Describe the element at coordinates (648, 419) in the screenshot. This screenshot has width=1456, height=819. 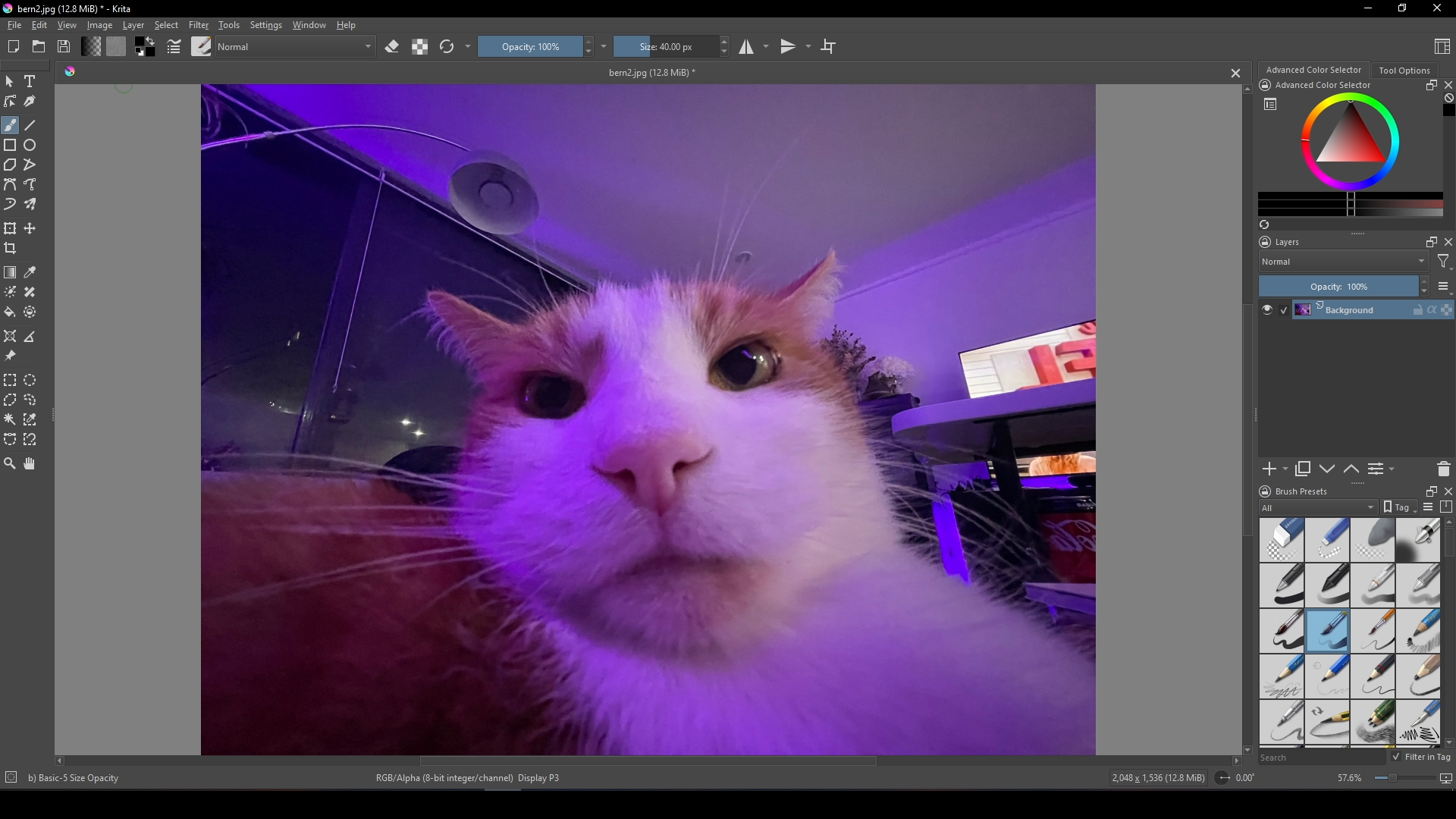
I see `Flipped image` at that location.